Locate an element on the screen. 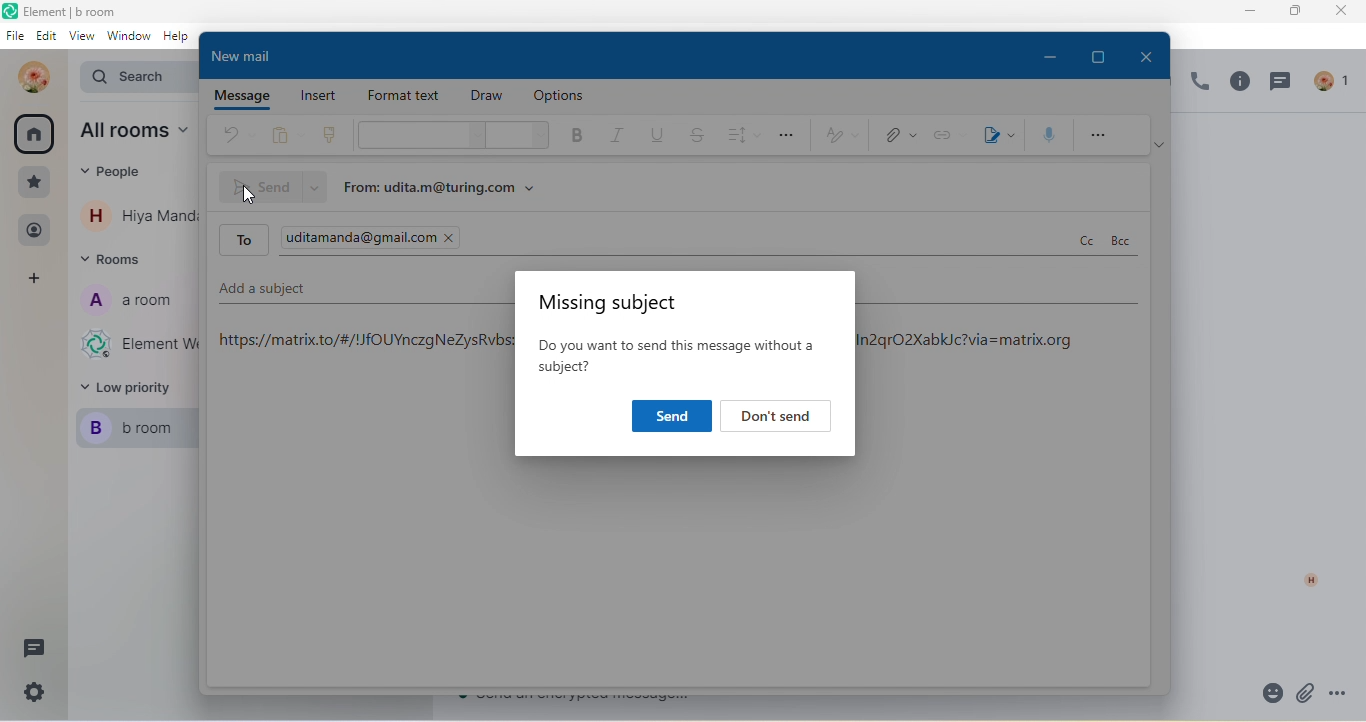 This screenshot has width=1366, height=722. send is located at coordinates (275, 179).